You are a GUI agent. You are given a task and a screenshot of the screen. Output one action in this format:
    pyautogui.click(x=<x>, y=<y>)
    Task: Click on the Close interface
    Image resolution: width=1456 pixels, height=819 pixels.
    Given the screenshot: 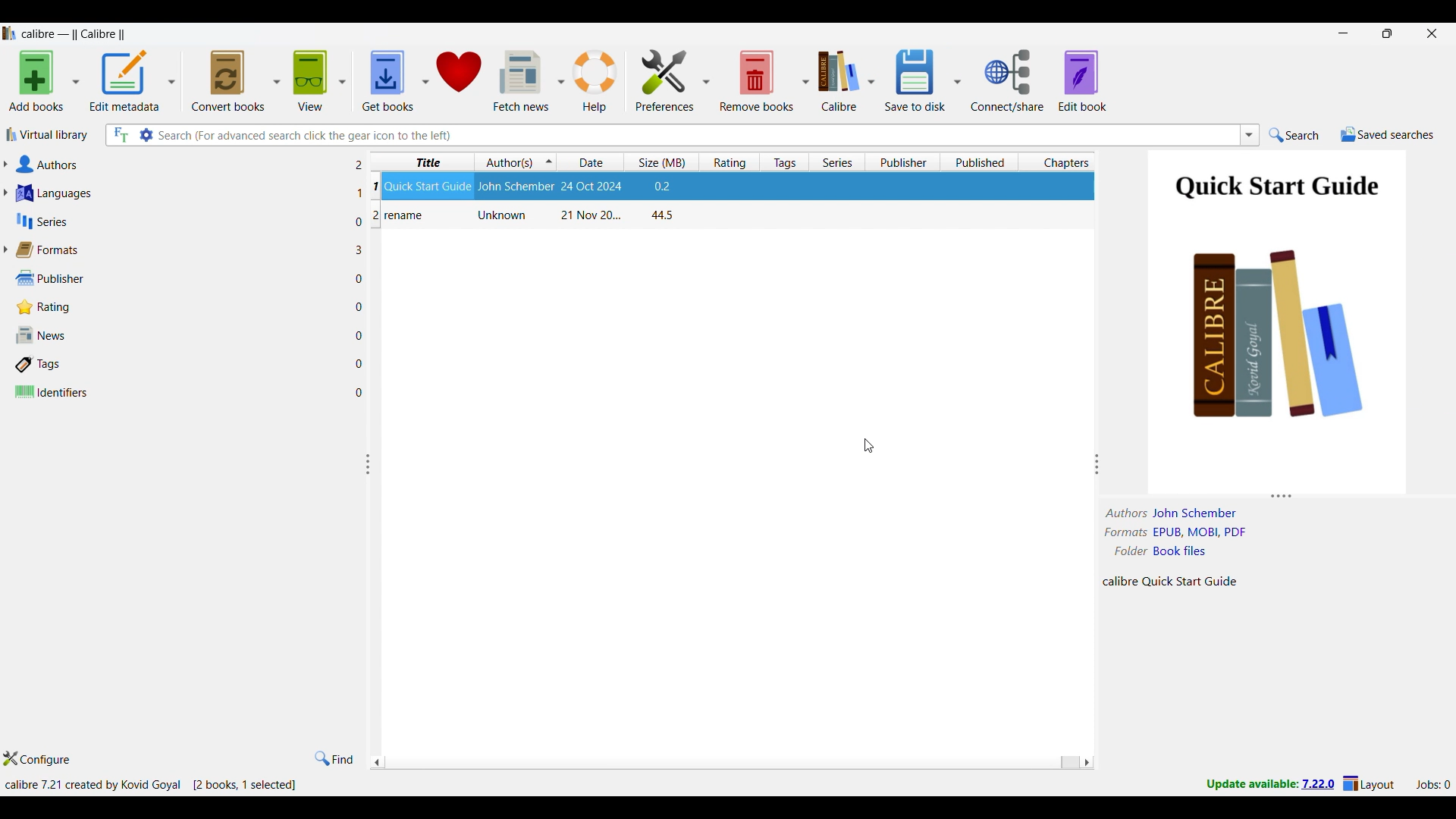 What is the action you would take?
    pyautogui.click(x=1432, y=33)
    